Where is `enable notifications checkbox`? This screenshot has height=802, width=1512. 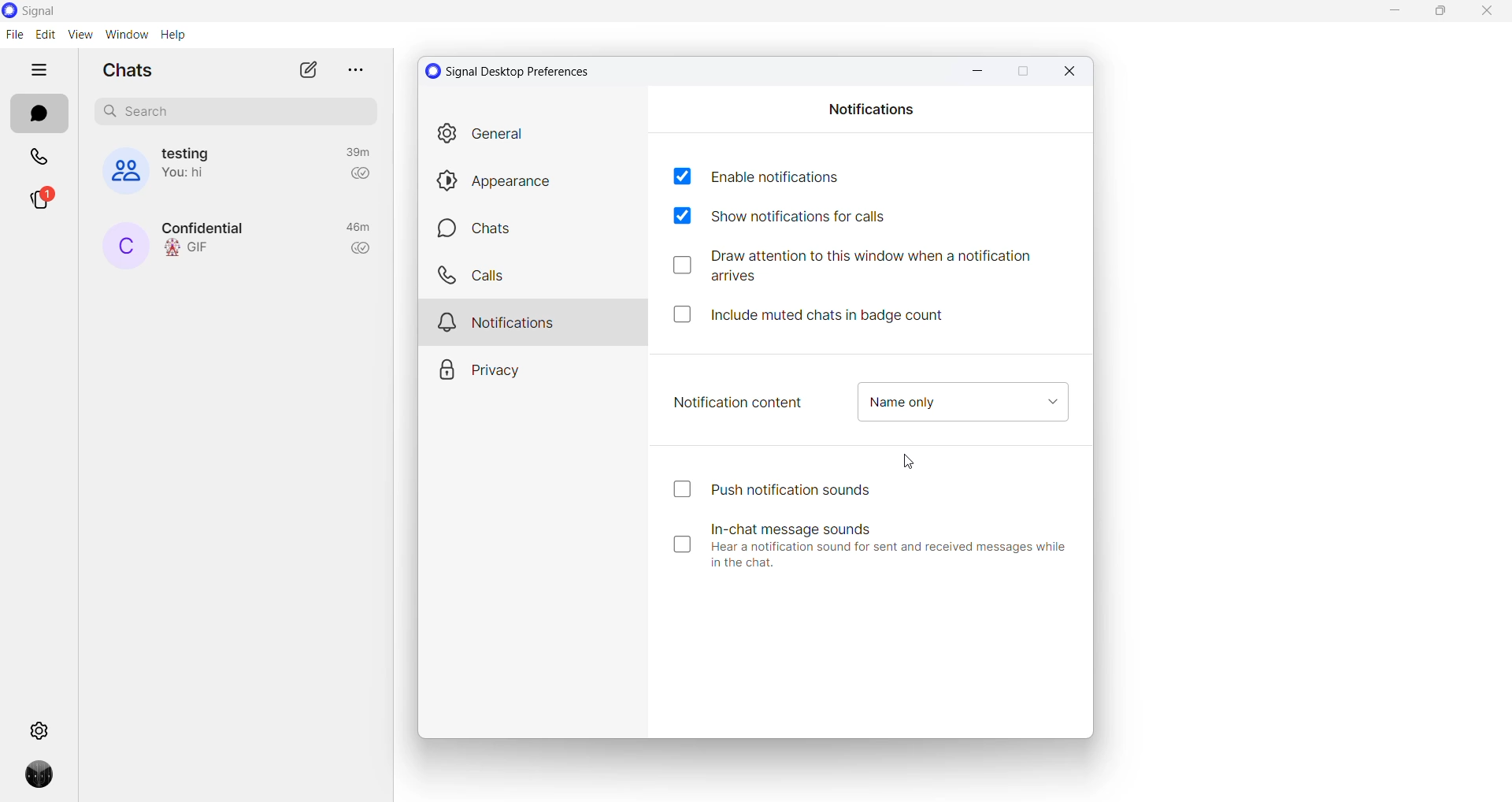
enable notifications checkbox is located at coordinates (754, 175).